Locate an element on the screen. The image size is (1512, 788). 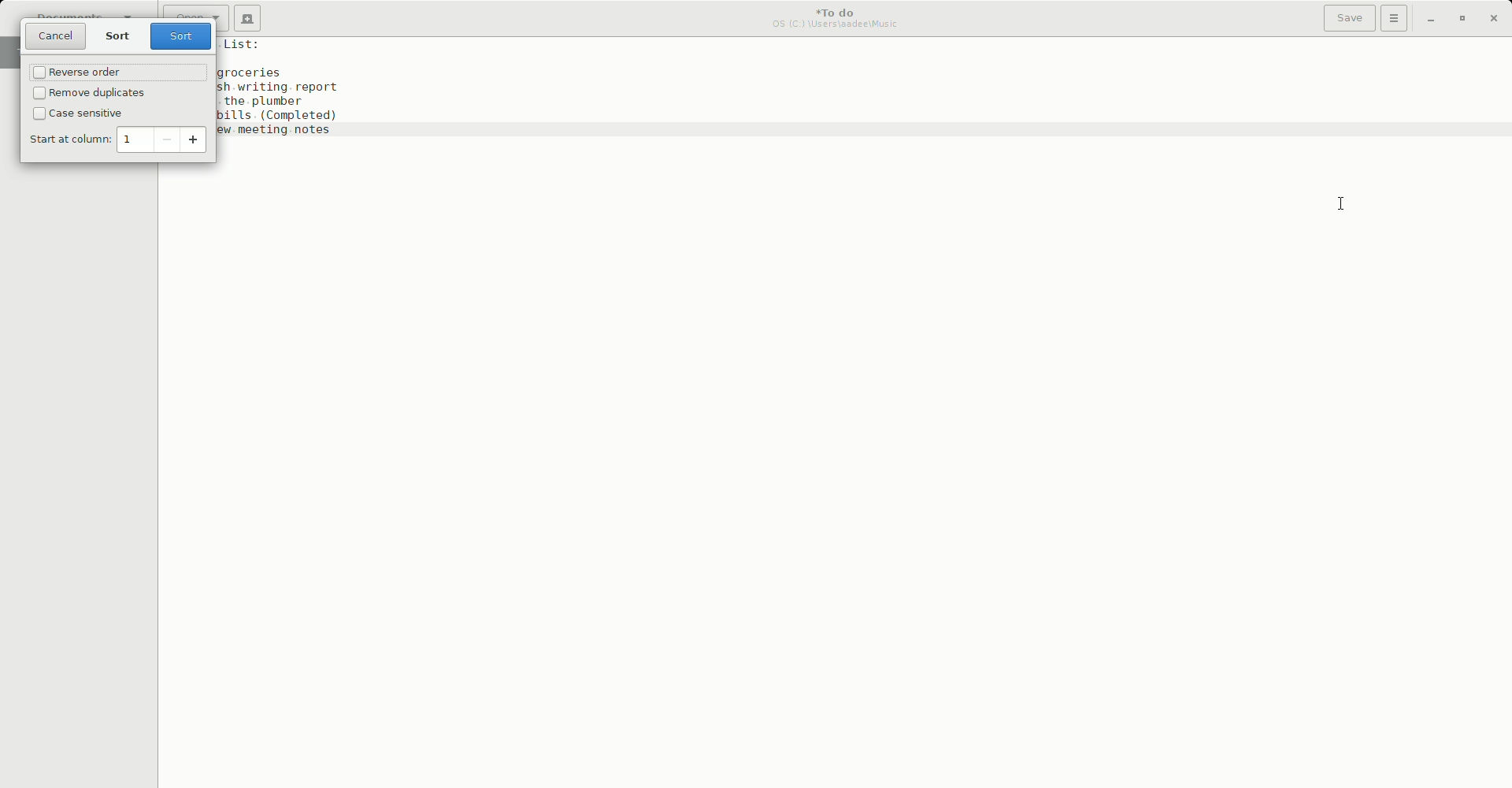
Cancel is located at coordinates (58, 38).